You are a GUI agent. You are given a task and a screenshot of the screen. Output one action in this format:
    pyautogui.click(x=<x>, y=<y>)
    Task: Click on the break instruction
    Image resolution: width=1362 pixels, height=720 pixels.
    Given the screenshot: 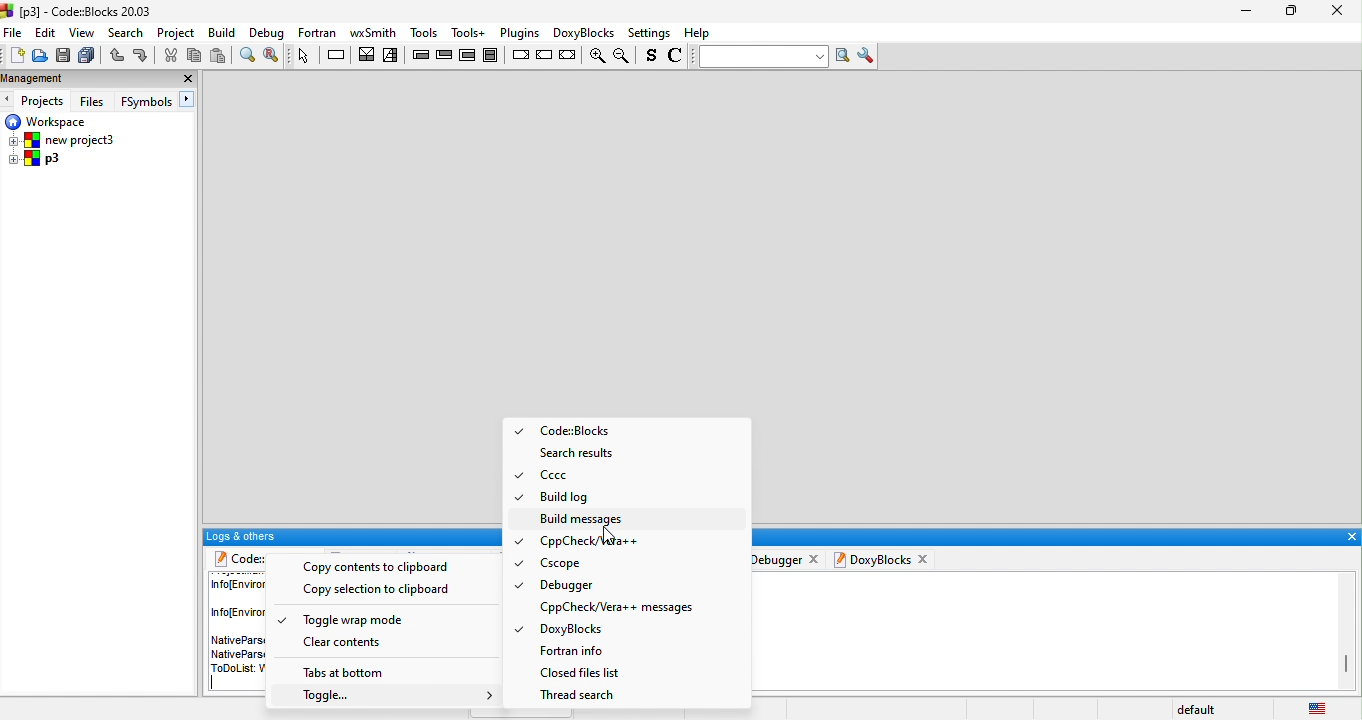 What is the action you would take?
    pyautogui.click(x=520, y=55)
    